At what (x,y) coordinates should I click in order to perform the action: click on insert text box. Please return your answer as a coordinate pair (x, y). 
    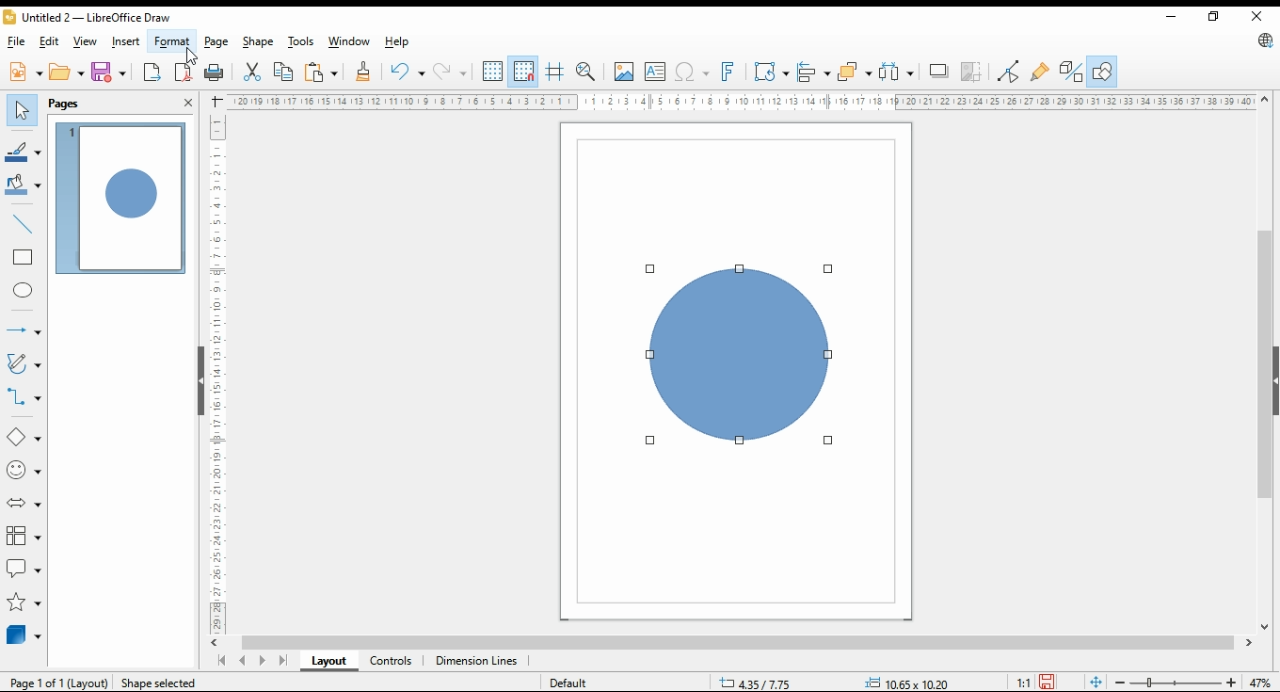
    Looking at the image, I should click on (654, 72).